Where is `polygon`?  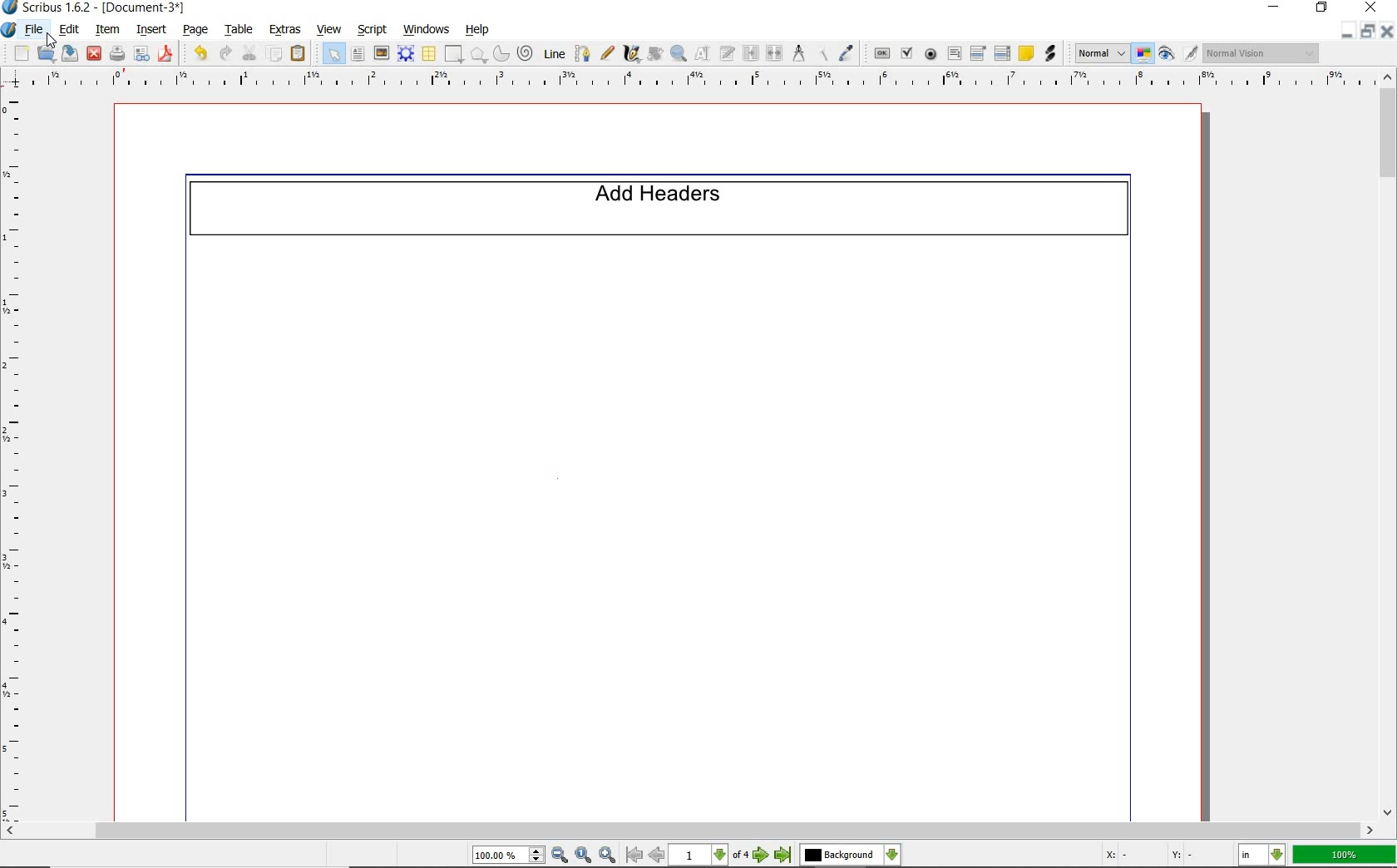 polygon is located at coordinates (477, 55).